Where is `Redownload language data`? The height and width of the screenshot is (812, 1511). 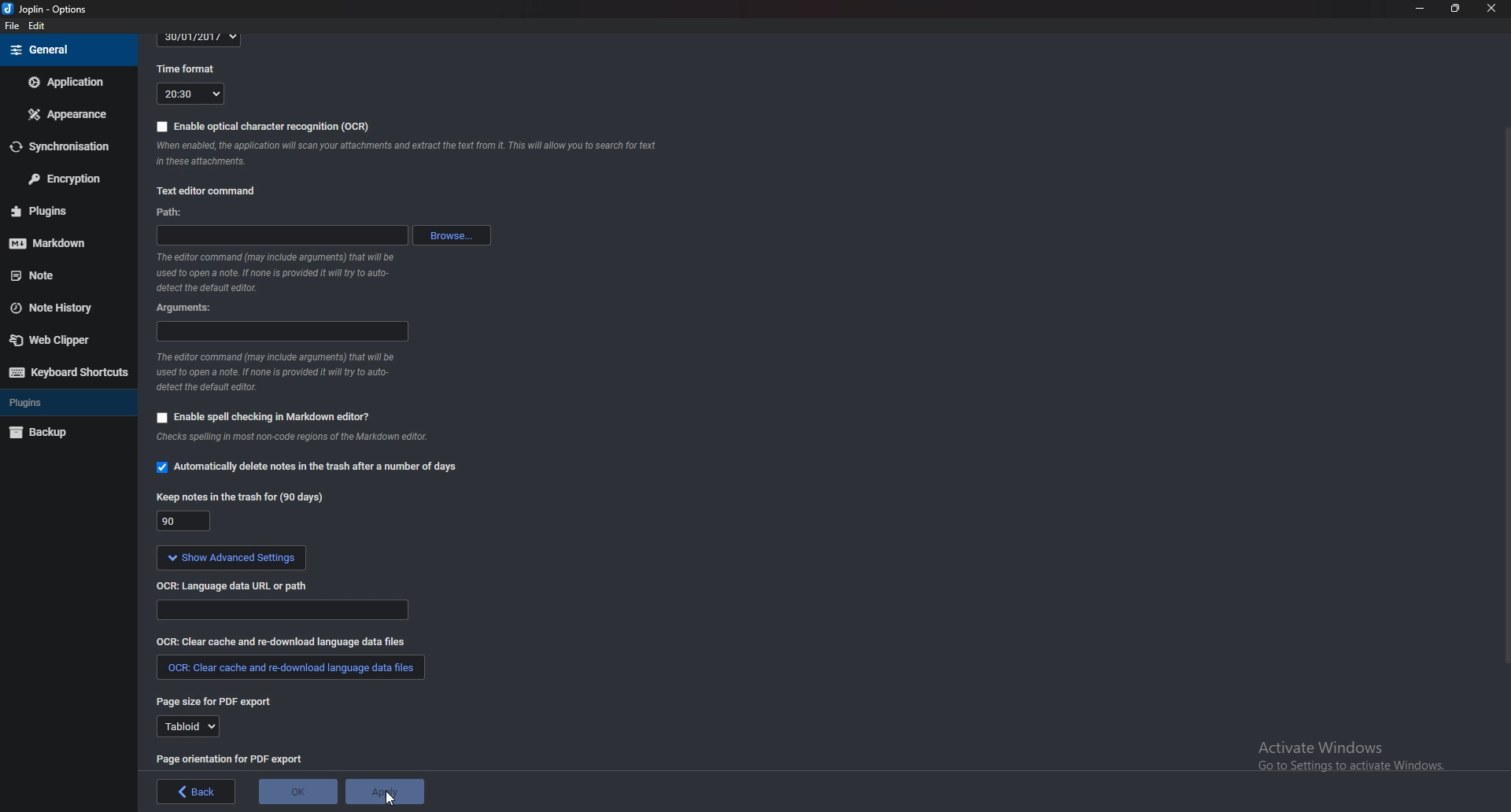
Redownload language data is located at coordinates (291, 668).